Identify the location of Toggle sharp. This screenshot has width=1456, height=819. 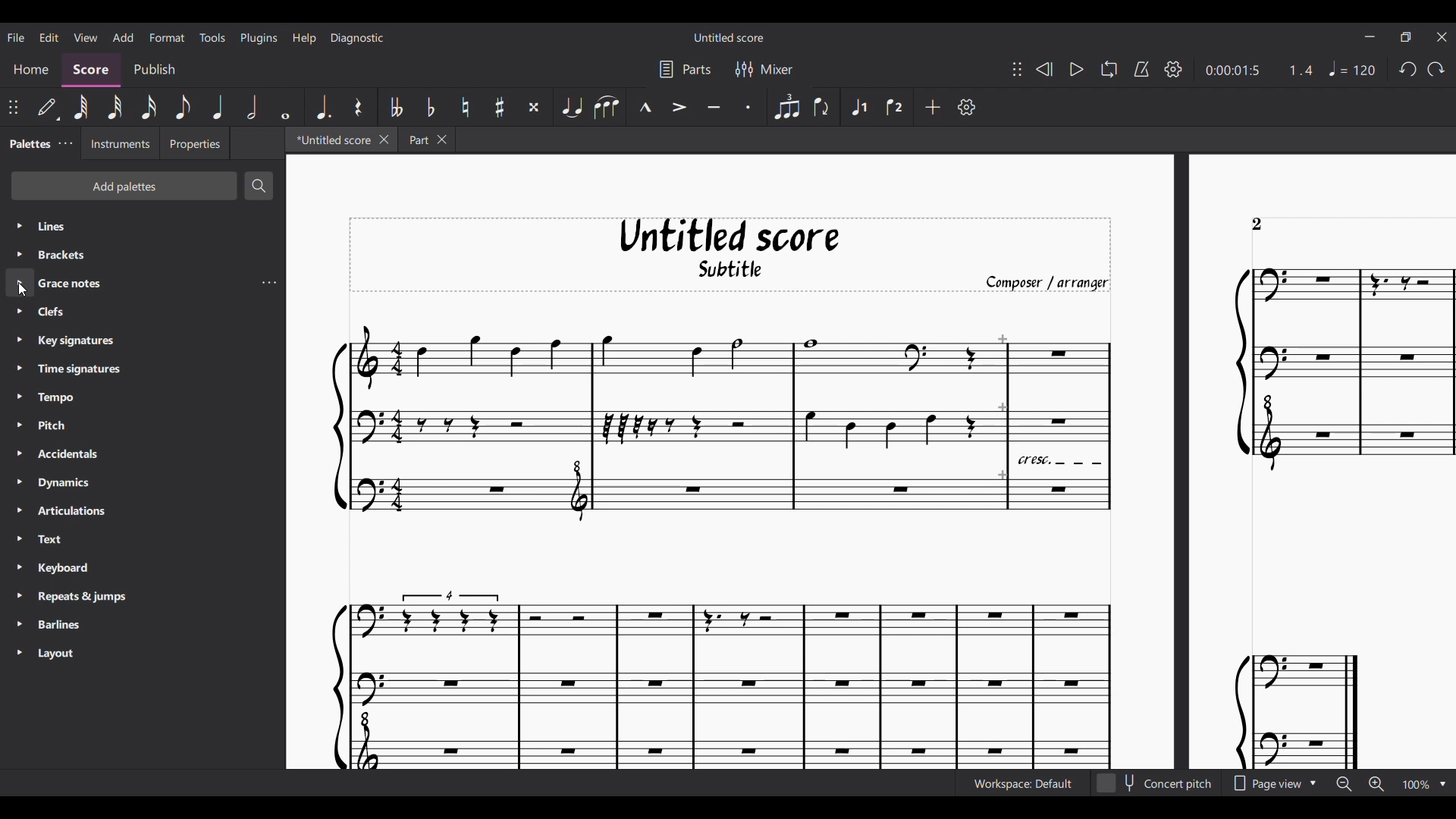
(499, 108).